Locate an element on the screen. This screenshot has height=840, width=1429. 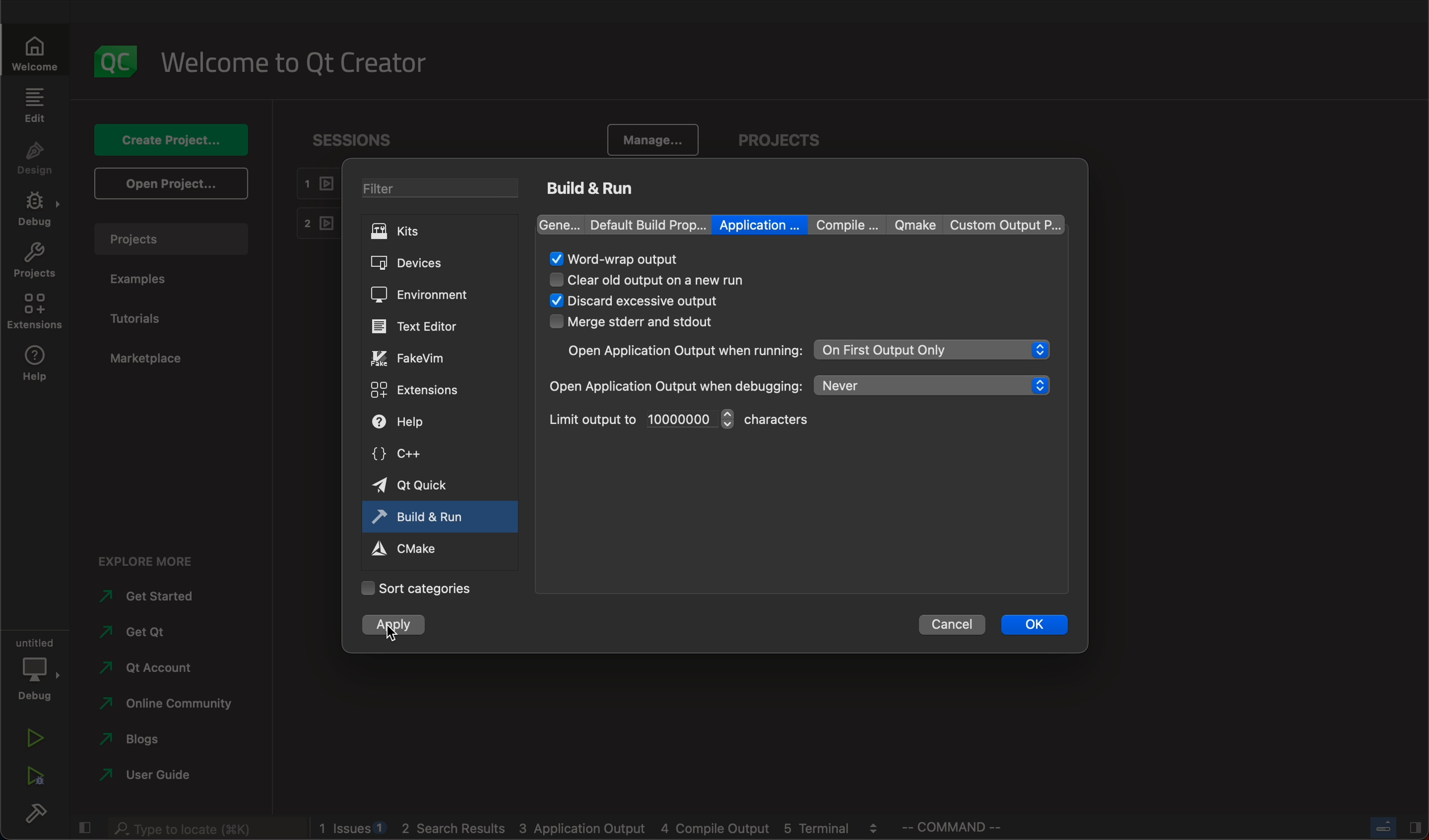
create is located at coordinates (166, 139).